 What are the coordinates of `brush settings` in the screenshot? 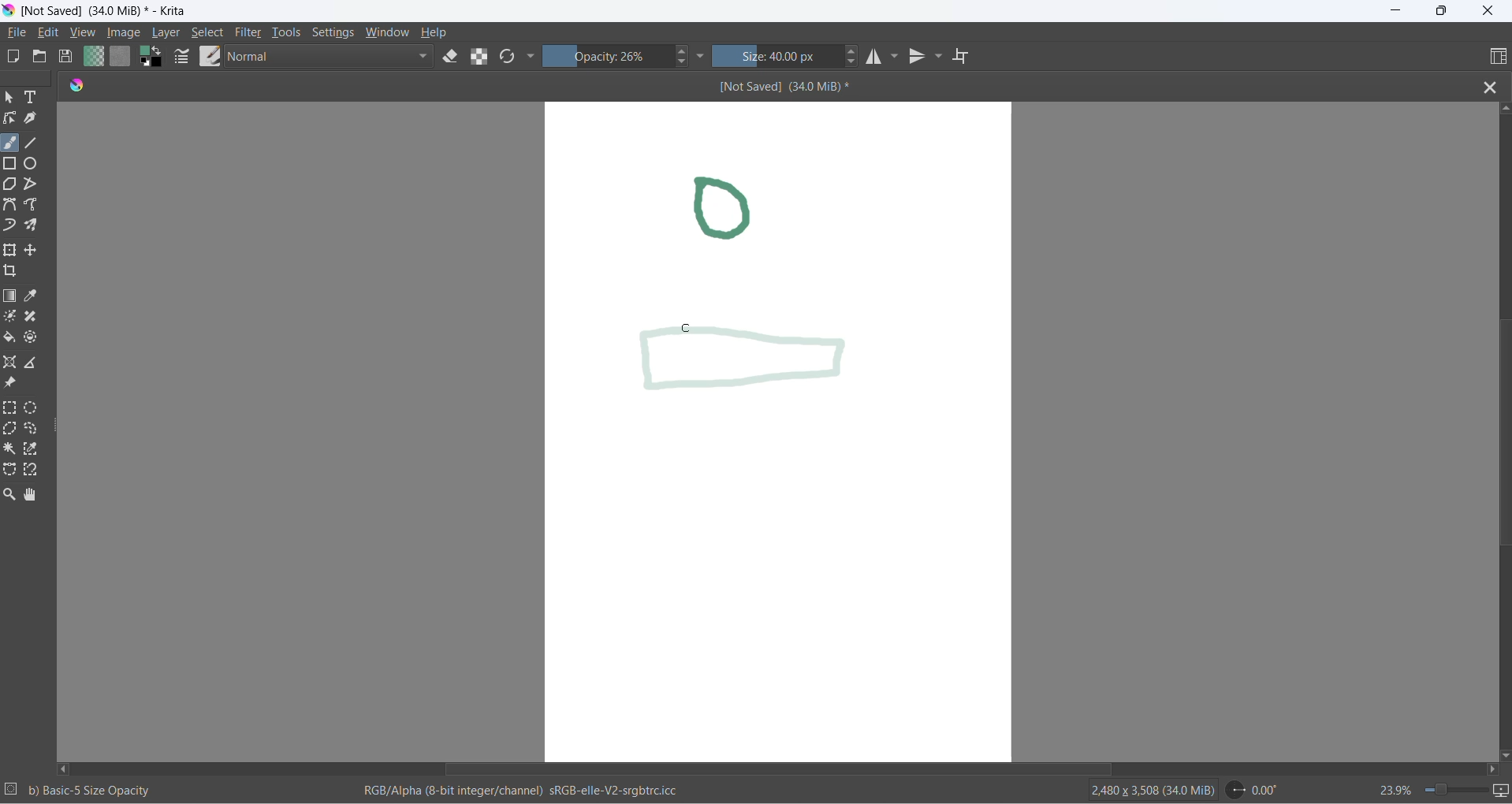 It's located at (181, 58).